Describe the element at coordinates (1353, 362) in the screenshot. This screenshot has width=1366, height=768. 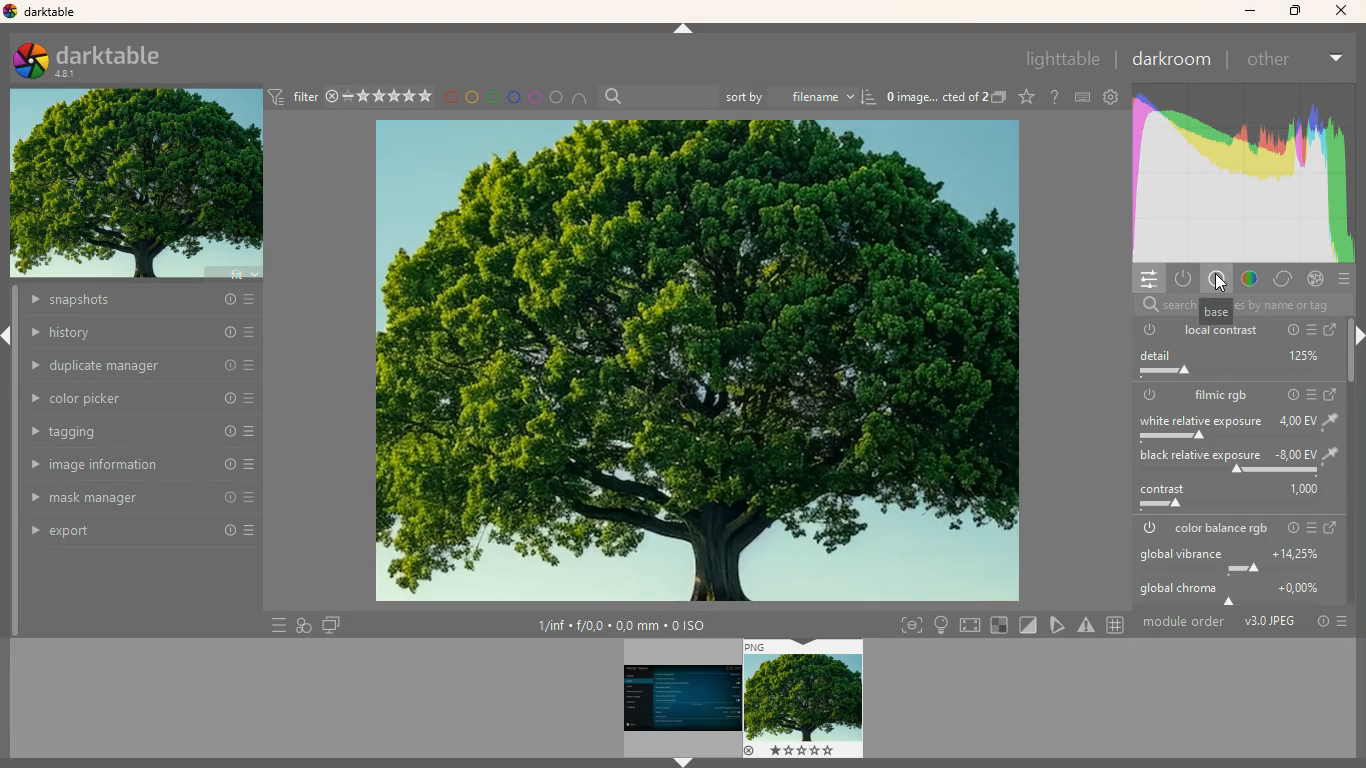
I see `scroll` at that location.